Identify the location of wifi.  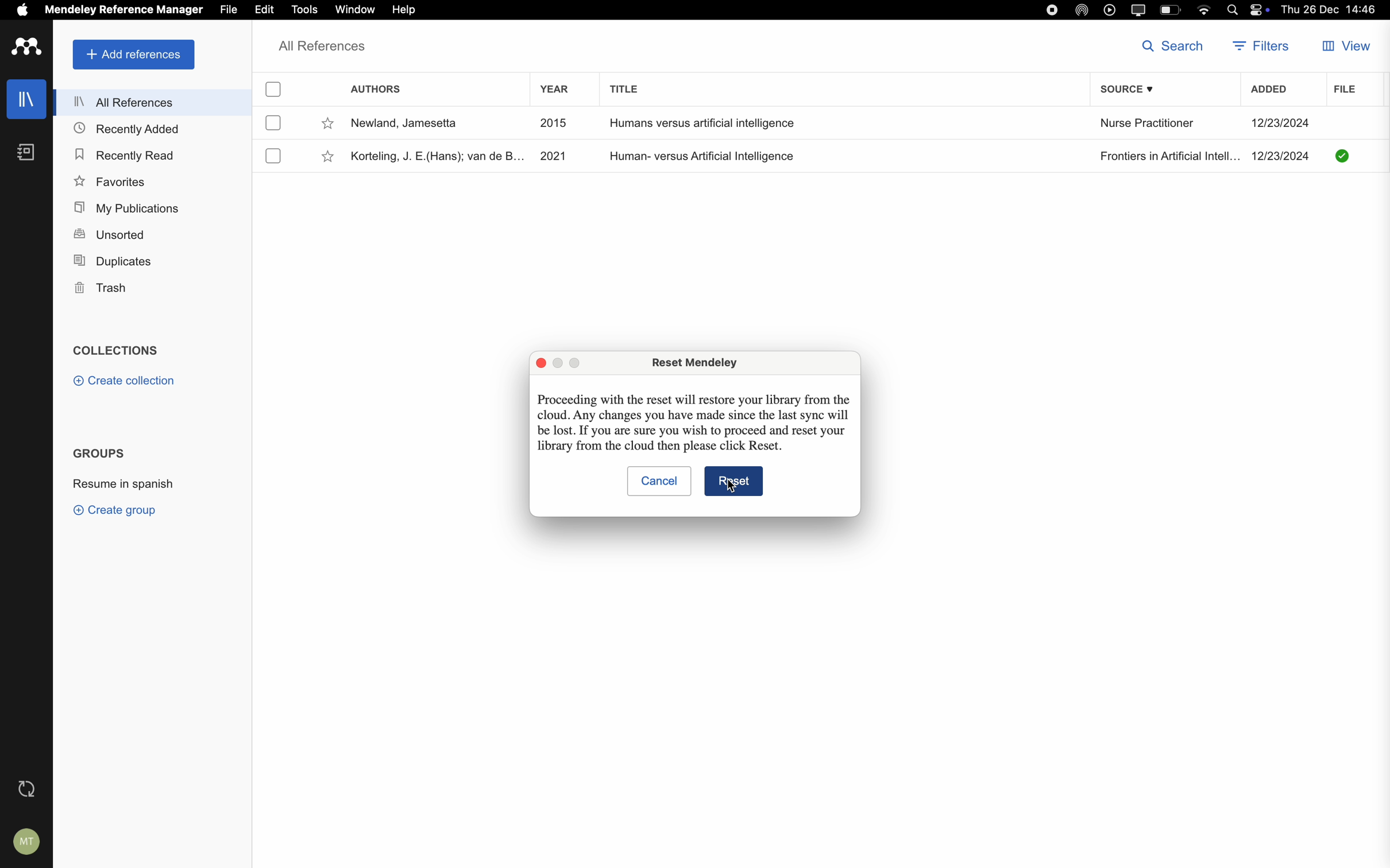
(1207, 10).